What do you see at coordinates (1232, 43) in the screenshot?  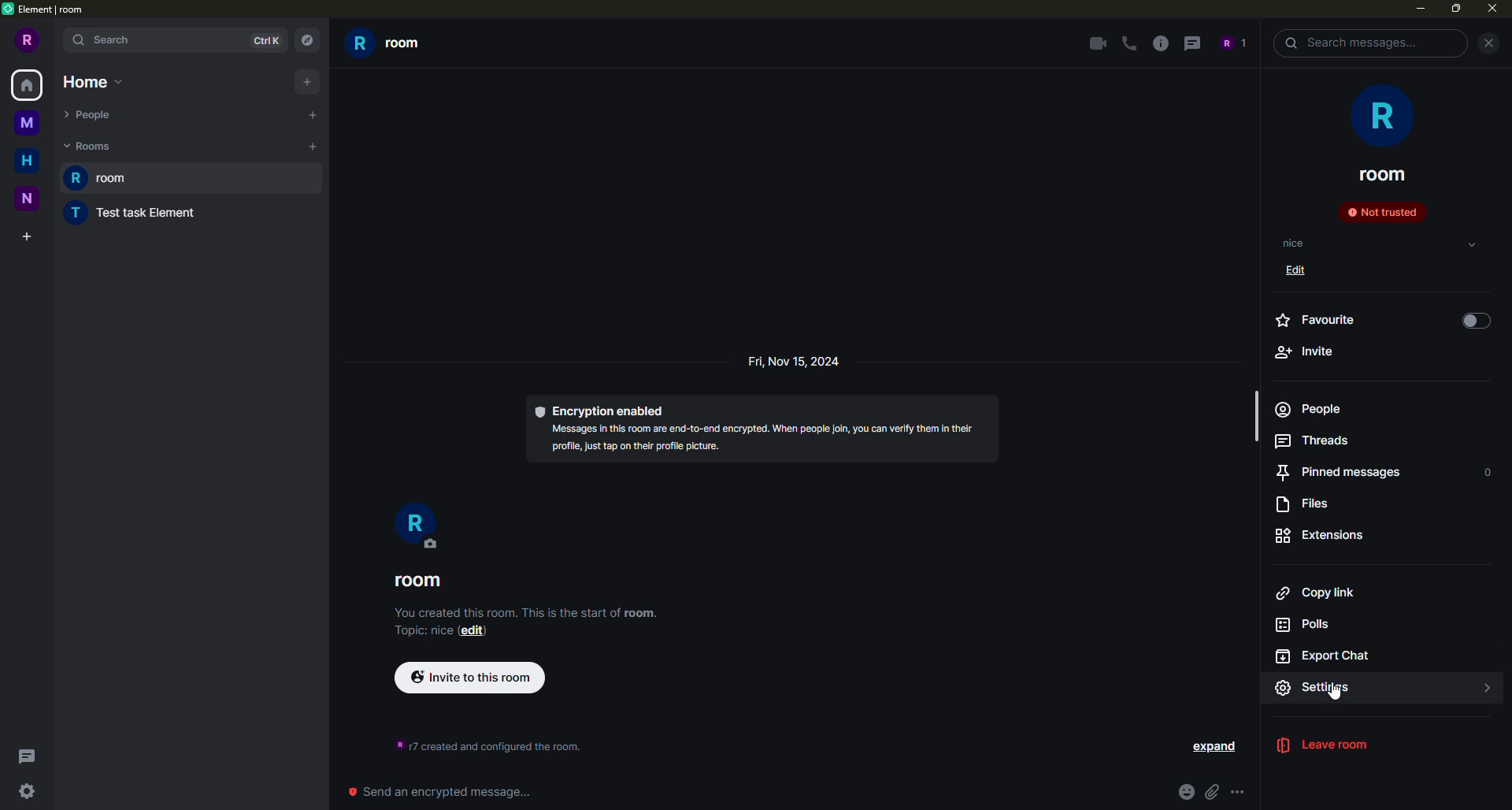 I see `account` at bounding box center [1232, 43].